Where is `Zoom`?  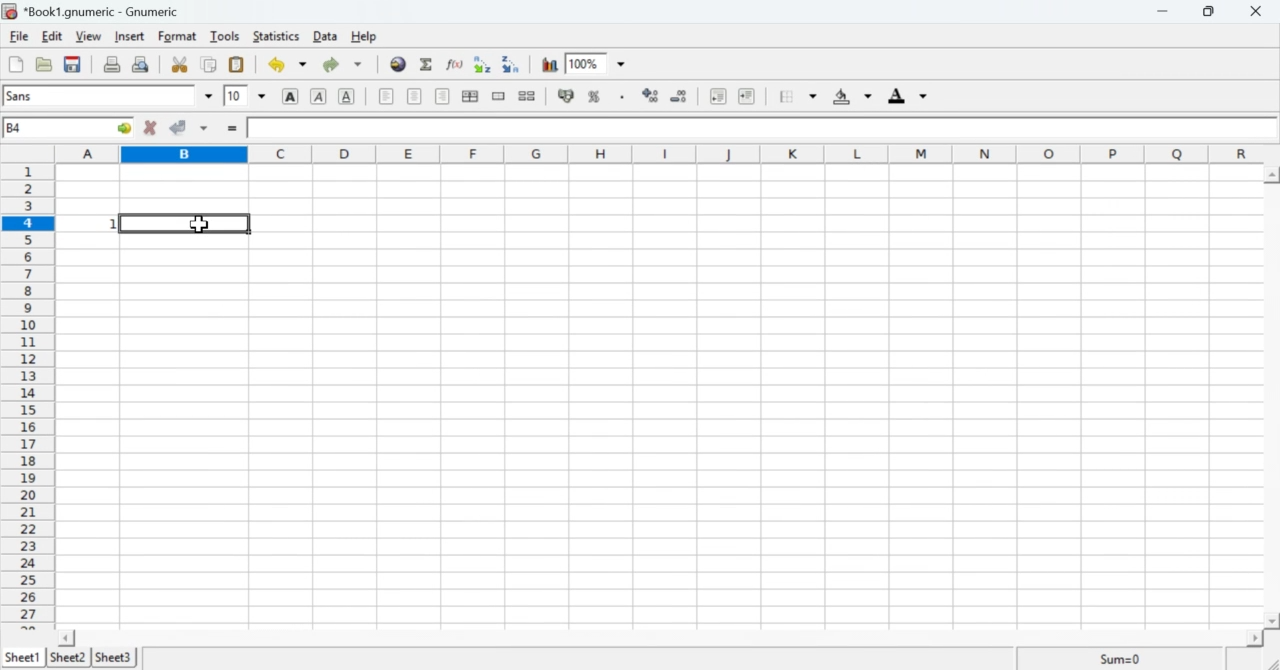
Zoom is located at coordinates (598, 61).